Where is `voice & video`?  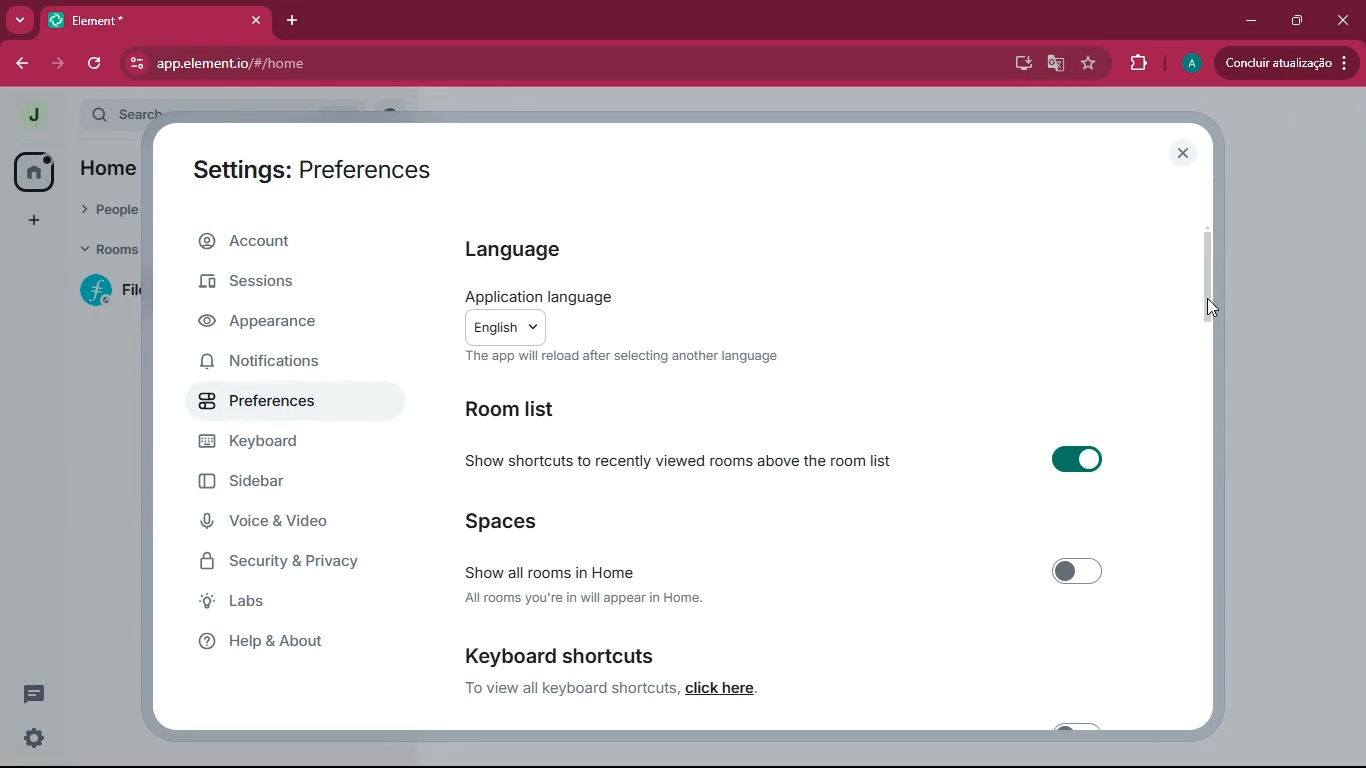
voice & video is located at coordinates (276, 523).